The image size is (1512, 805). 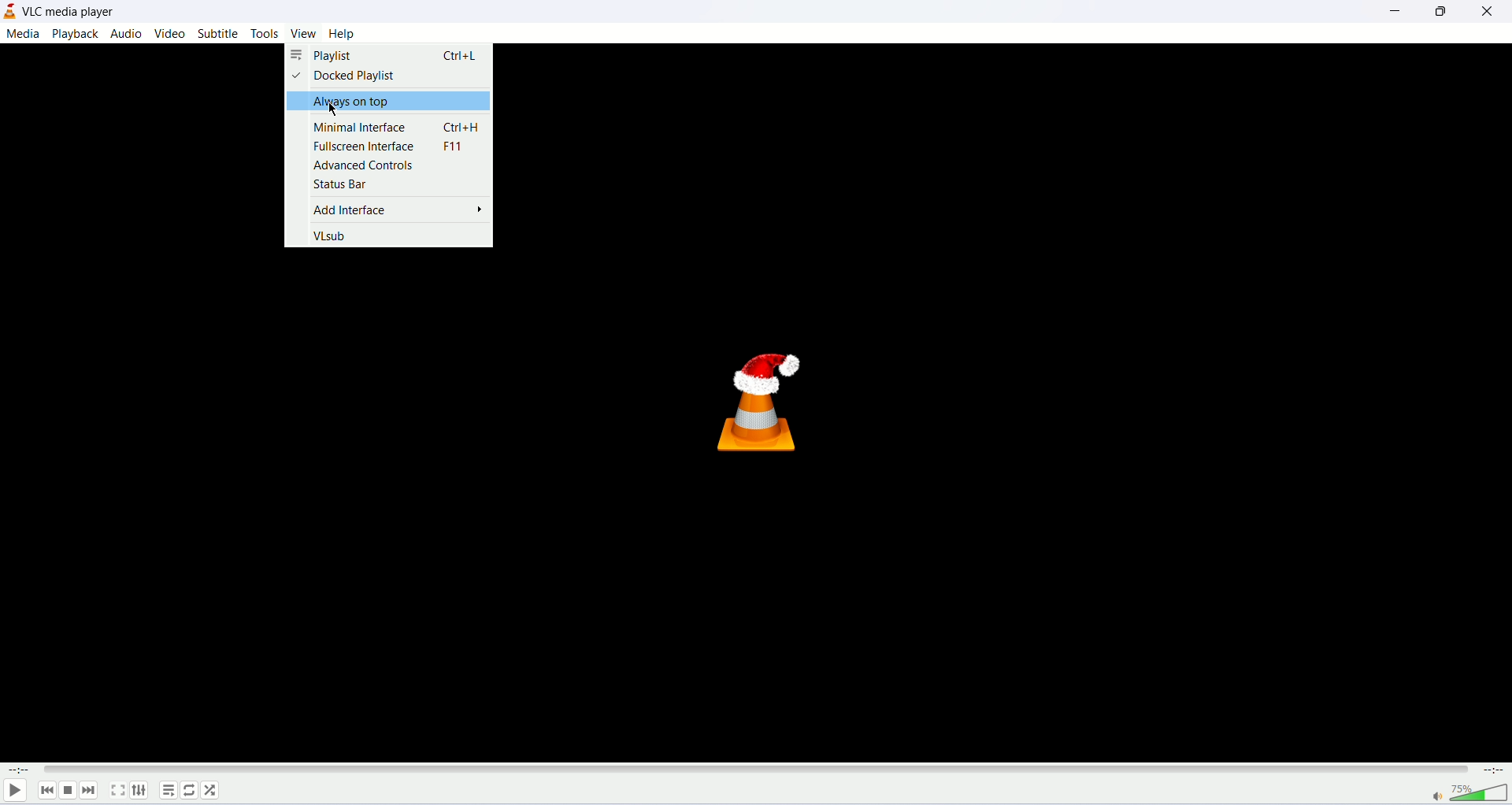 I want to click on audio, so click(x=128, y=32).